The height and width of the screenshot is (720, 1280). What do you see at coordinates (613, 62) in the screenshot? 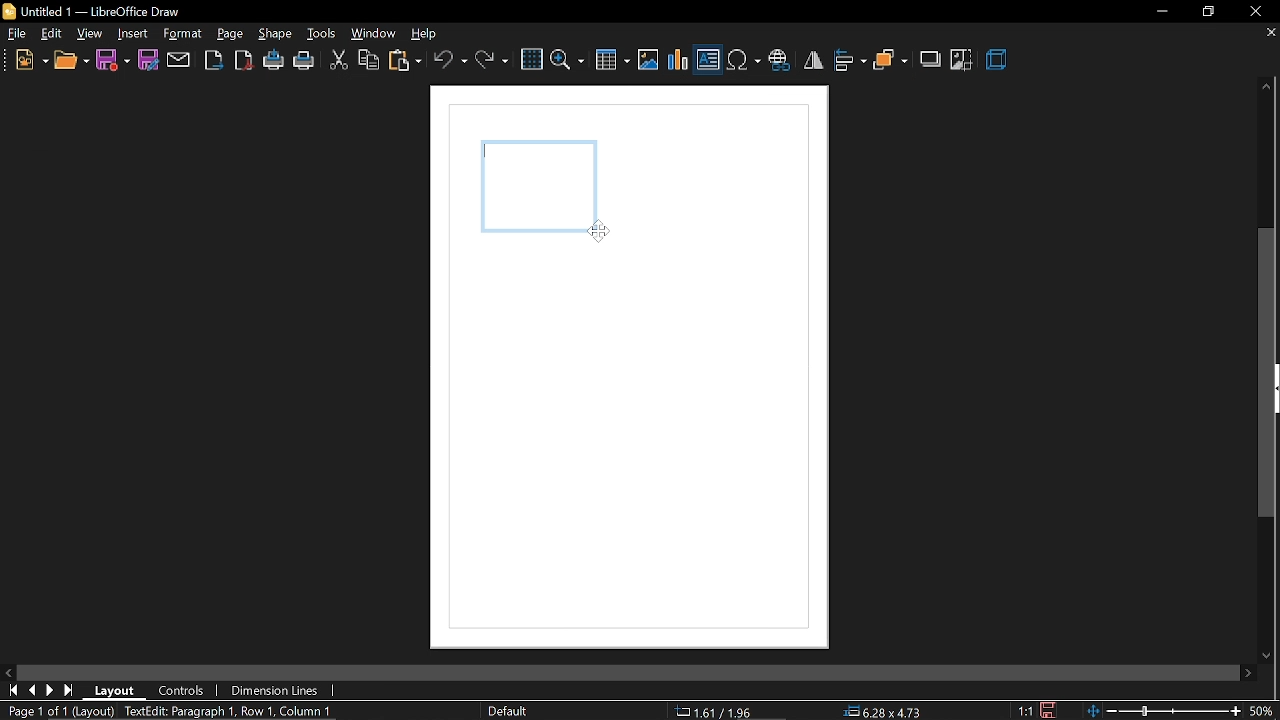
I see `insert table` at bounding box center [613, 62].